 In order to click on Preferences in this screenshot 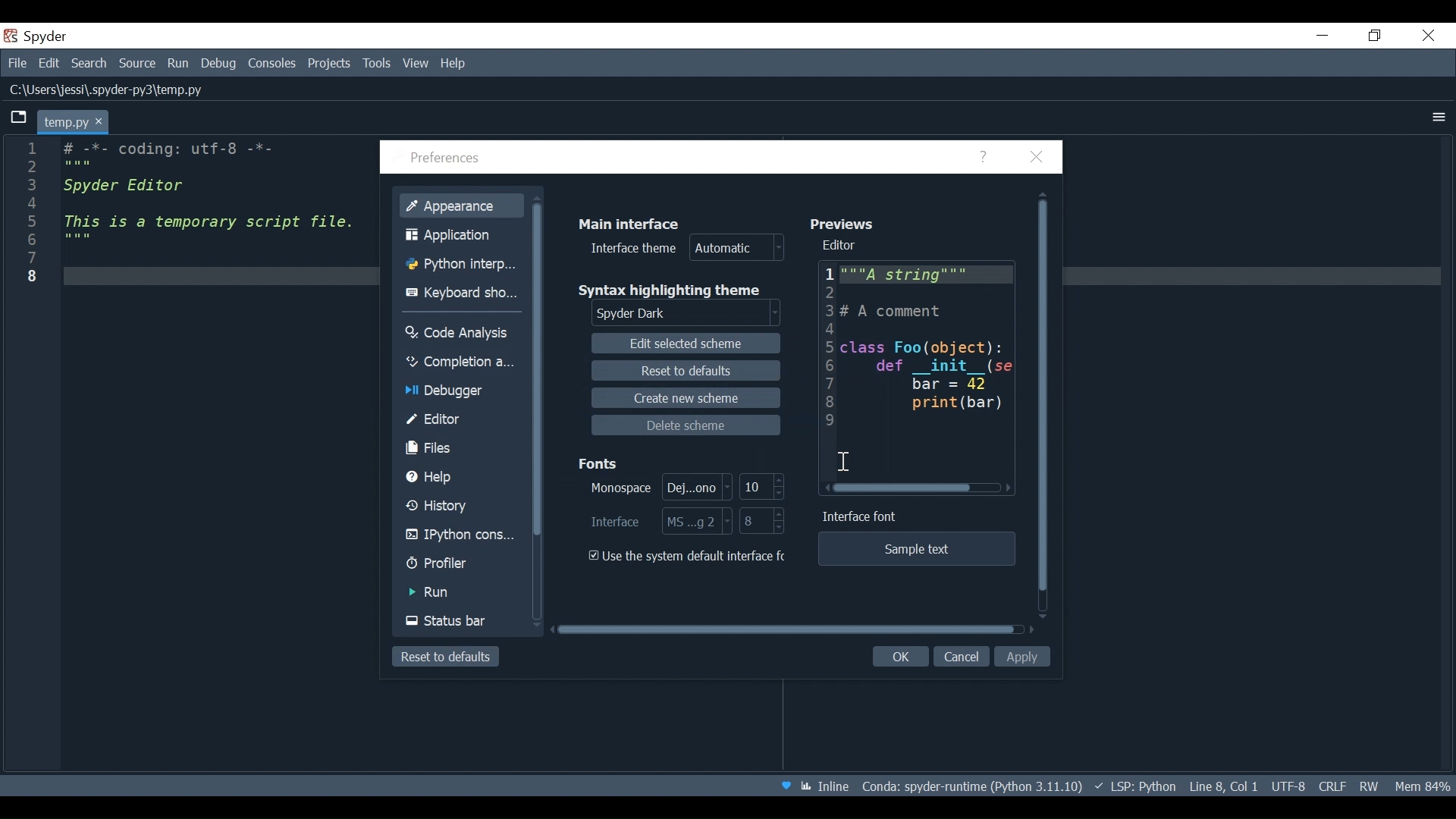, I will do `click(448, 159)`.